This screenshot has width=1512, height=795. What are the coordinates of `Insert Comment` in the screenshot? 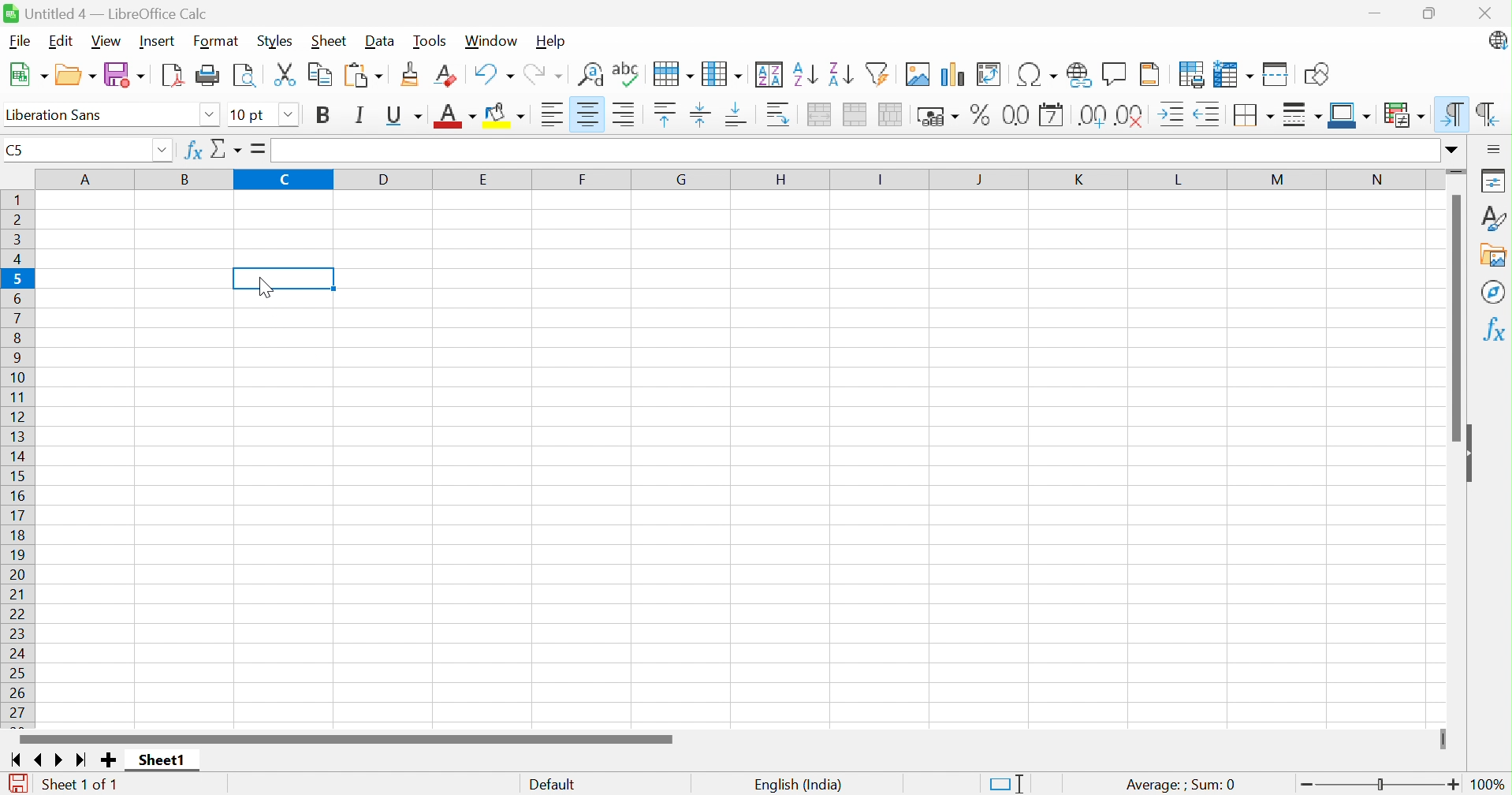 It's located at (1115, 73).